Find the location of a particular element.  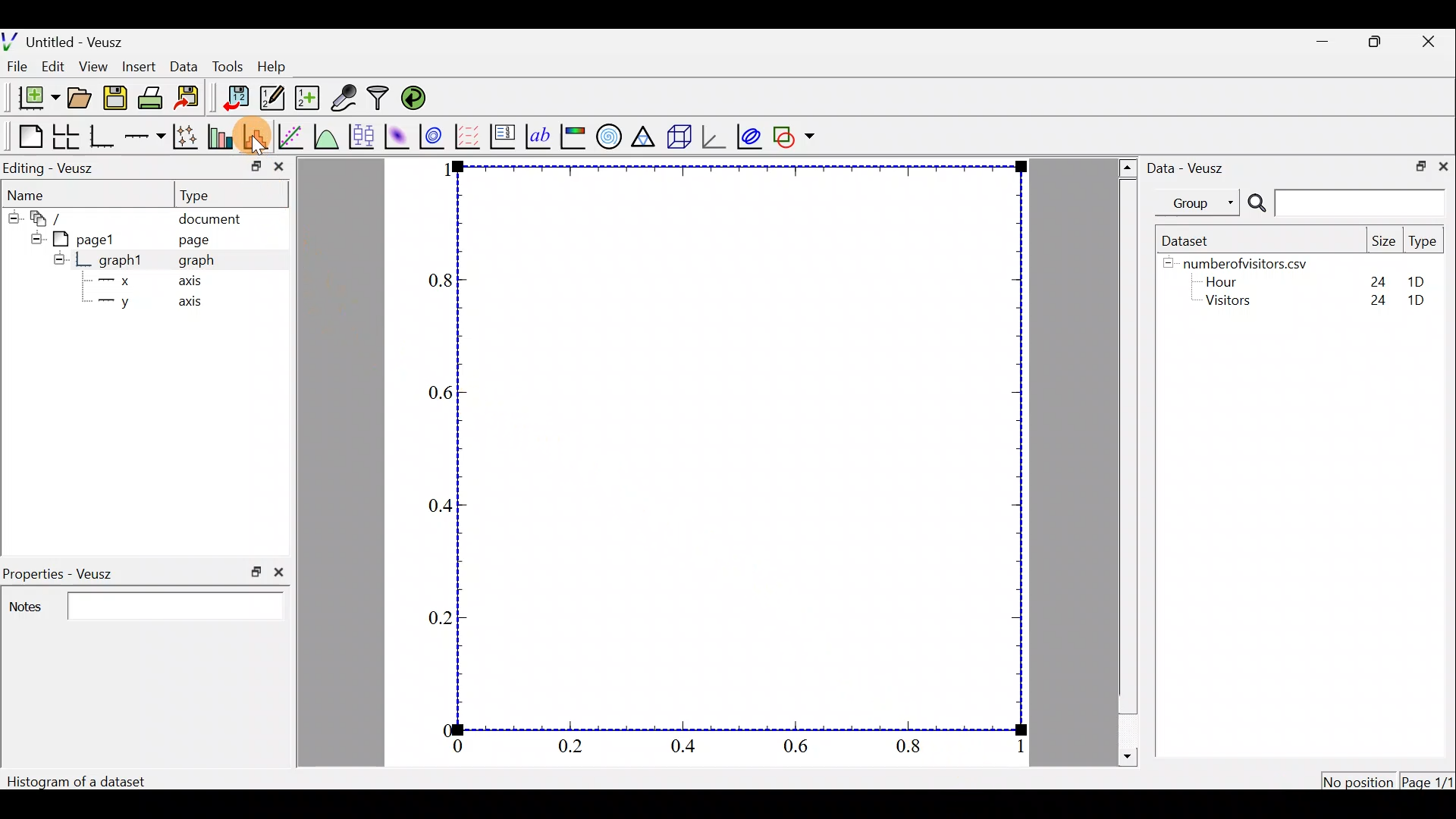

add a shape to the plot is located at coordinates (795, 137).